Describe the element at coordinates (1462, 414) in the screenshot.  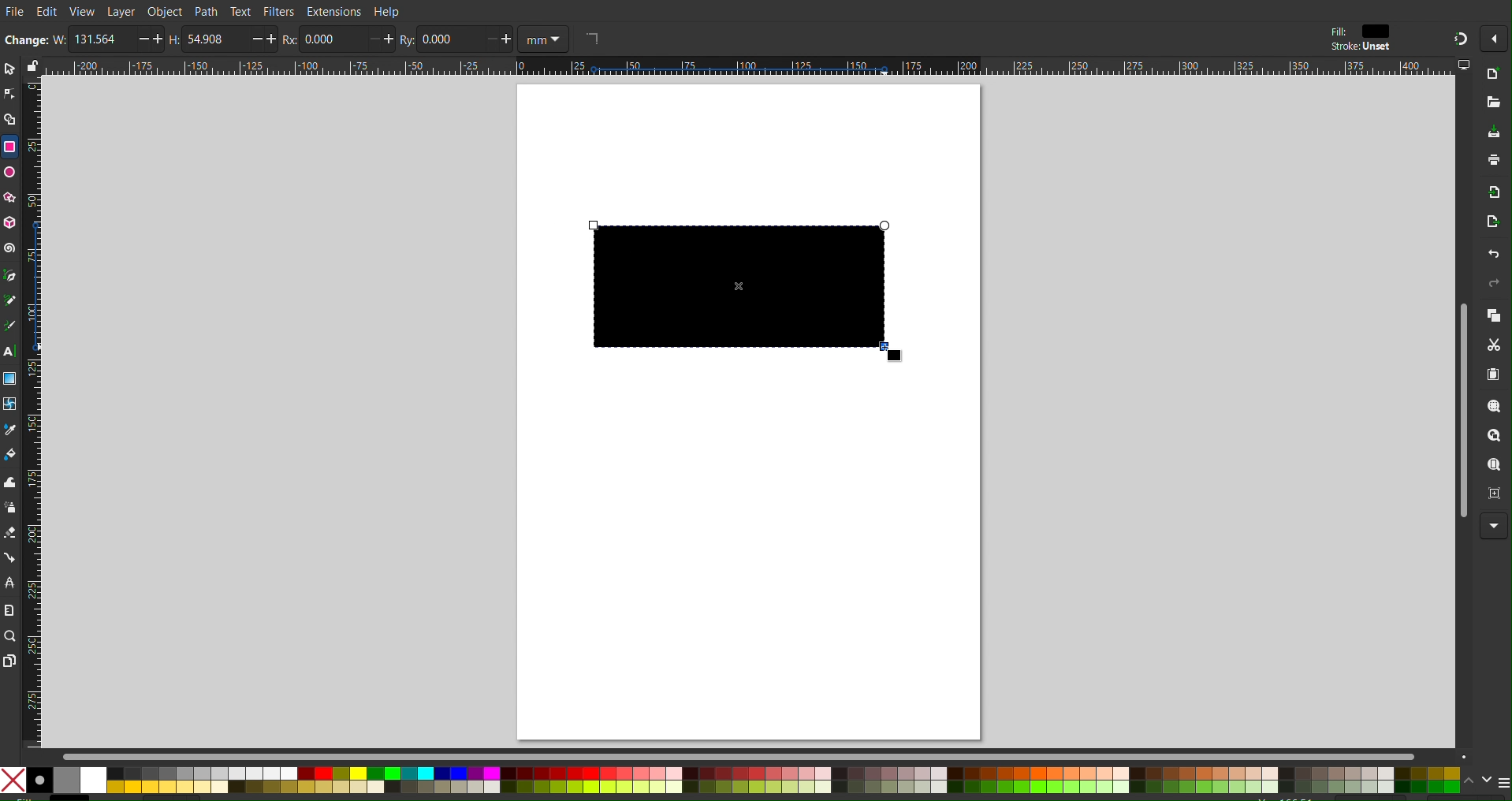
I see `Scrollbar` at that location.